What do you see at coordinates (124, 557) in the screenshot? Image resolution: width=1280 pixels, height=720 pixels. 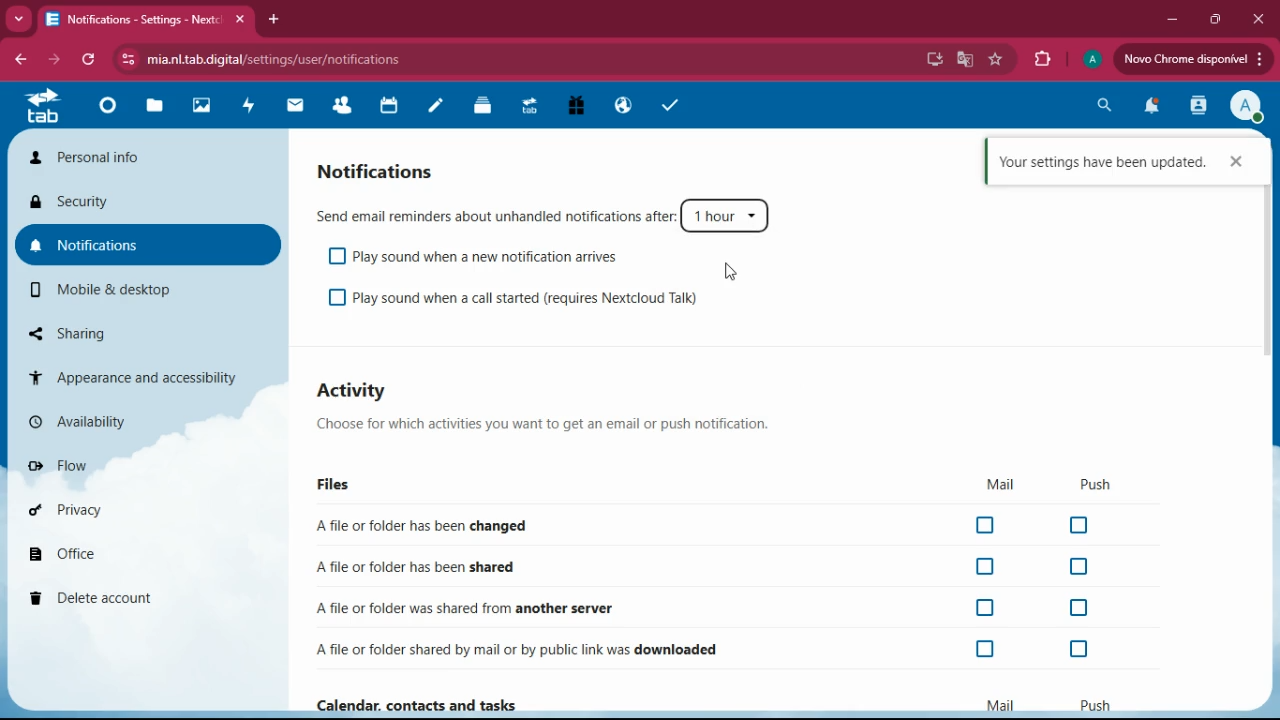 I see `office` at bounding box center [124, 557].